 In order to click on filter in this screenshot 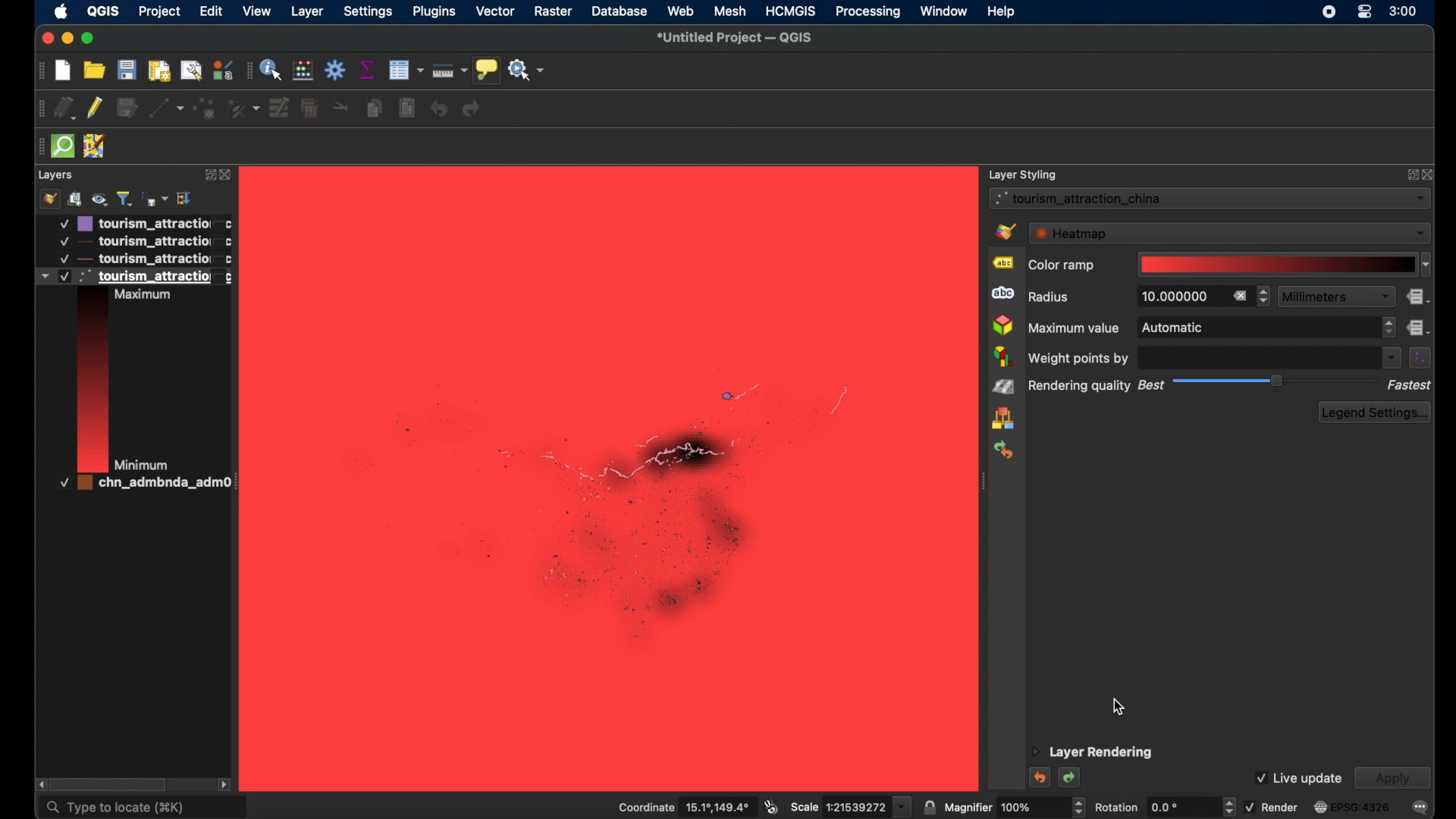, I will do `click(124, 197)`.